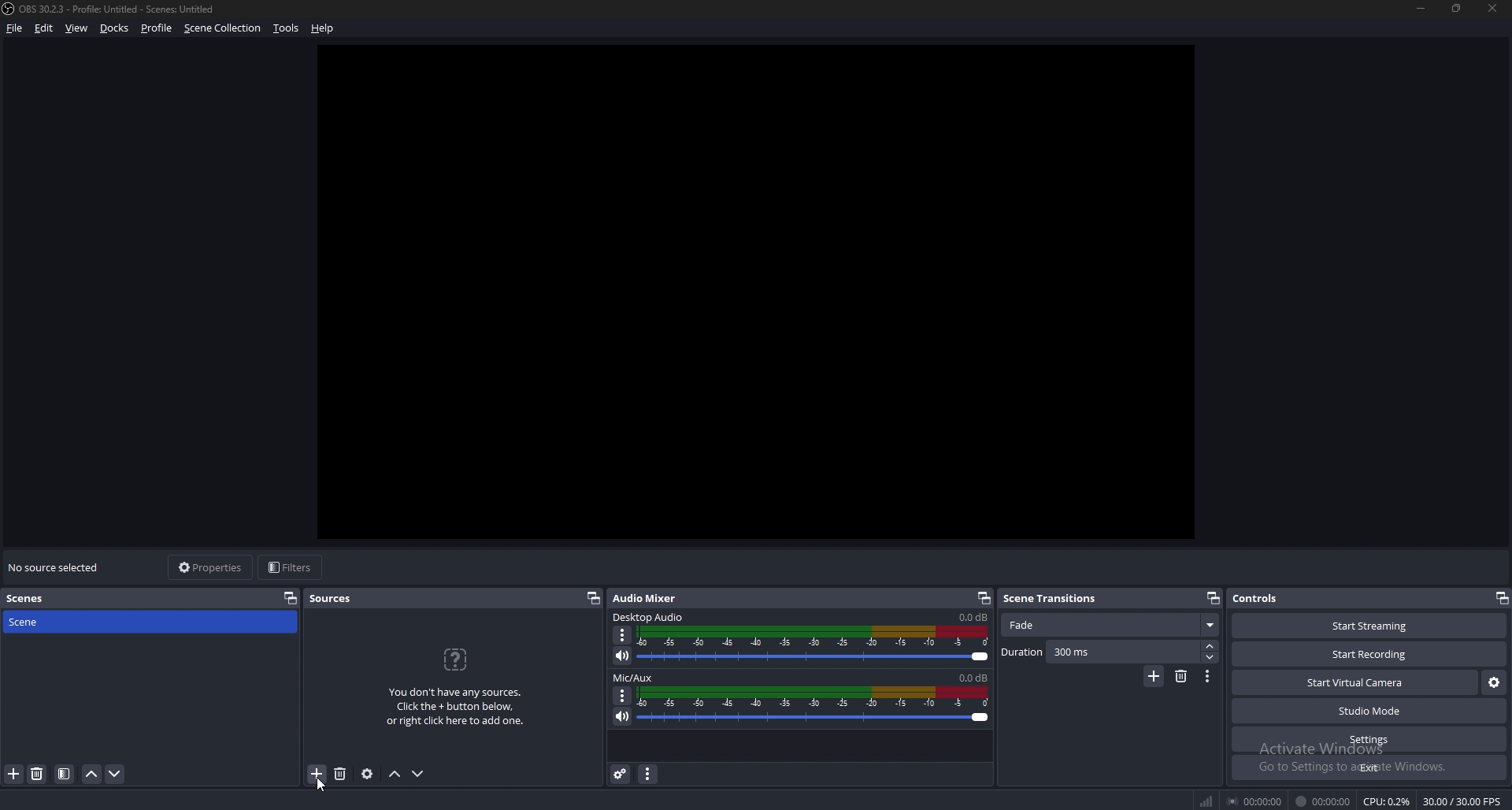 This screenshot has width=1512, height=810. Describe the element at coordinates (646, 599) in the screenshot. I see `Audio mixer` at that location.